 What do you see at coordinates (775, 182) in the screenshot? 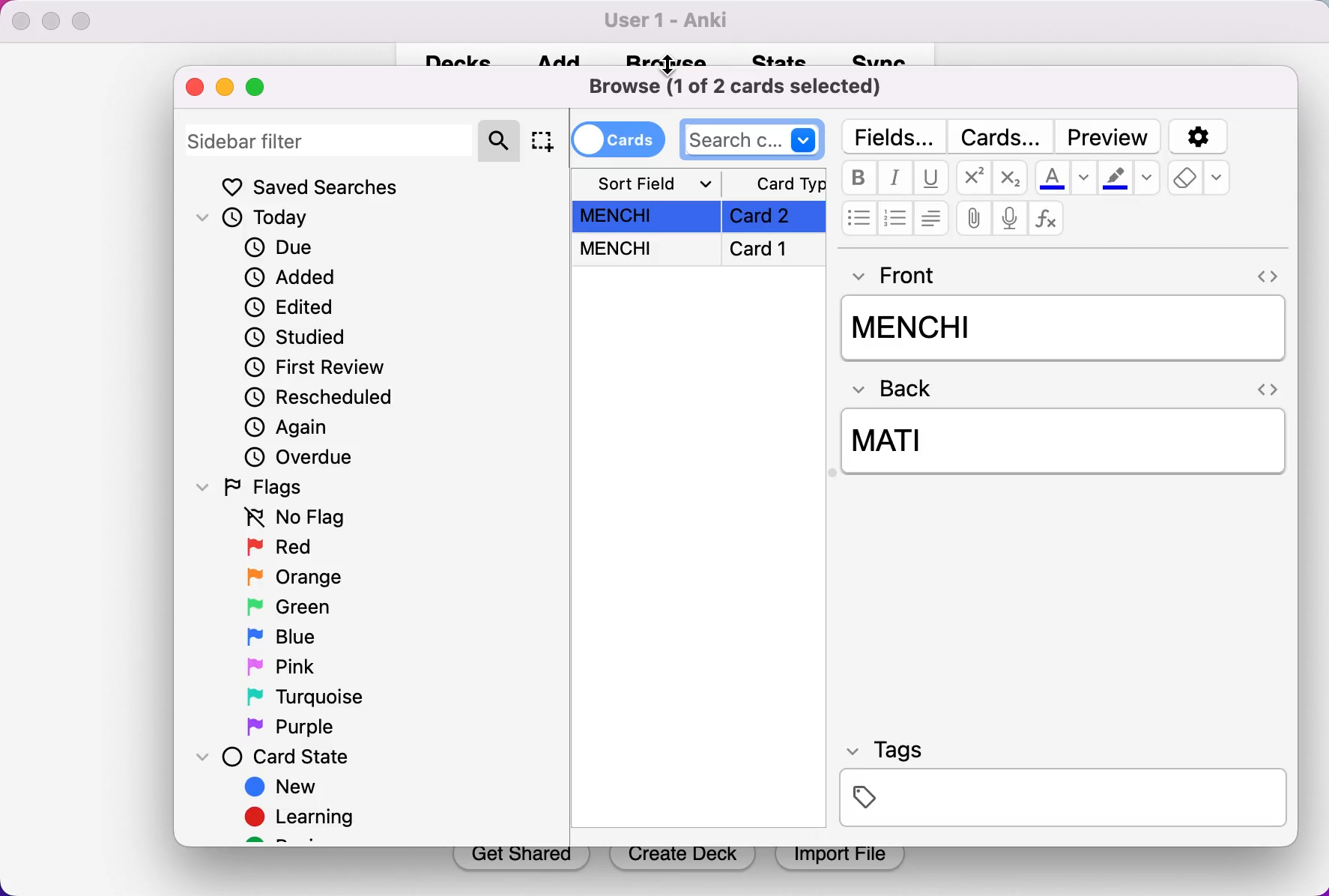
I see `card type` at bounding box center [775, 182].